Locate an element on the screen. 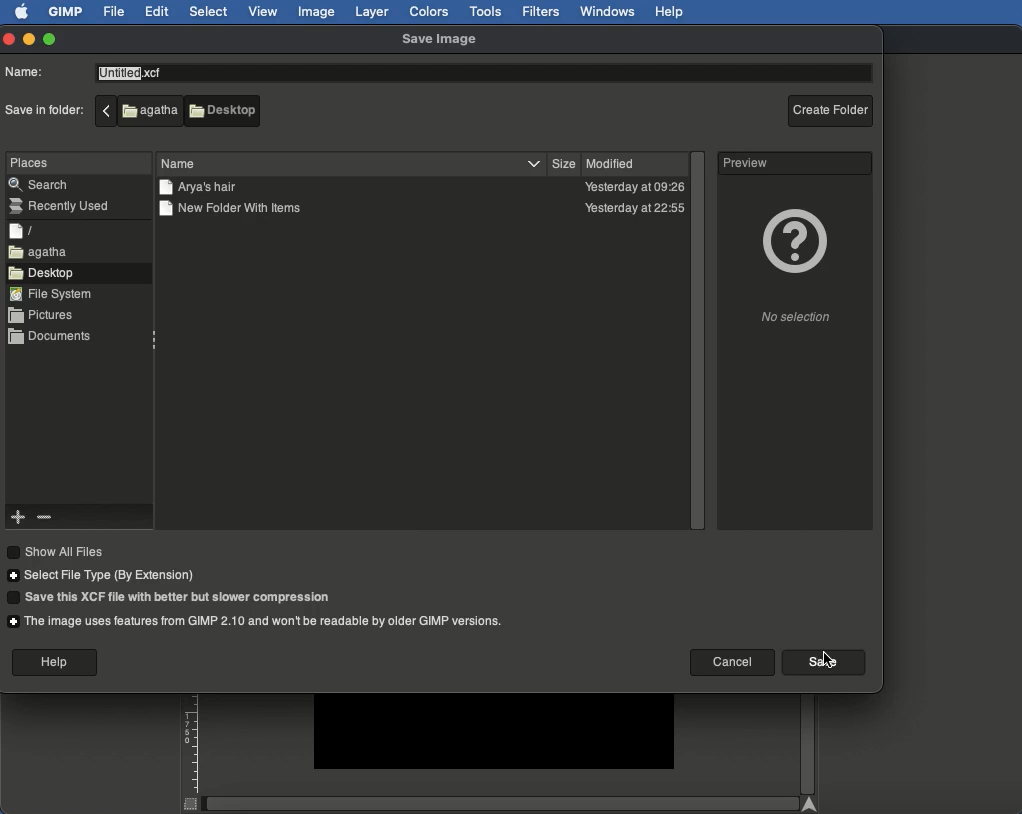 The width and height of the screenshot is (1022, 814). Modified date is located at coordinates (636, 187).